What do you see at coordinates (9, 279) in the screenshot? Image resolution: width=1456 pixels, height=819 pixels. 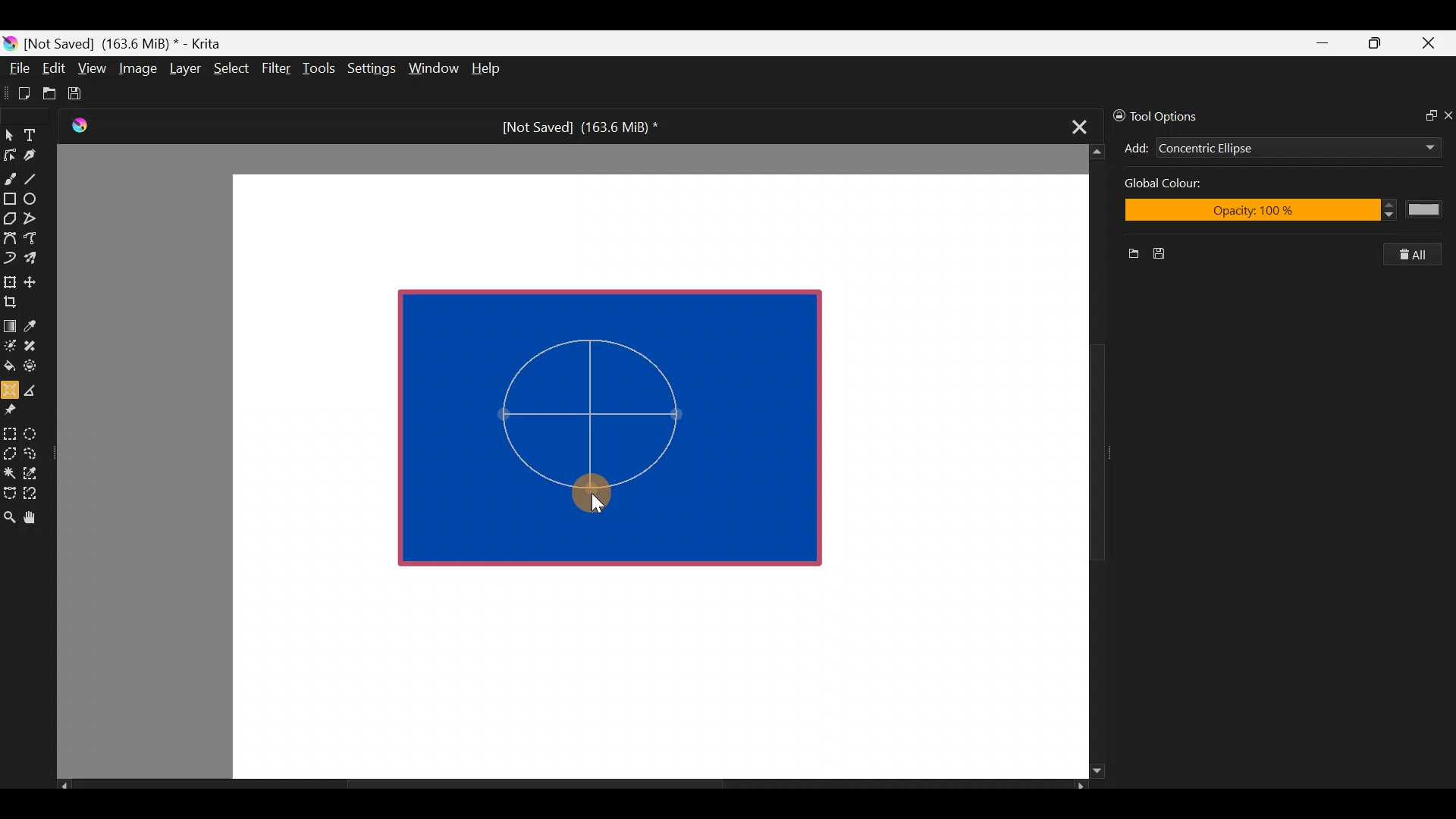 I see `Transform a layer/selection` at bounding box center [9, 279].